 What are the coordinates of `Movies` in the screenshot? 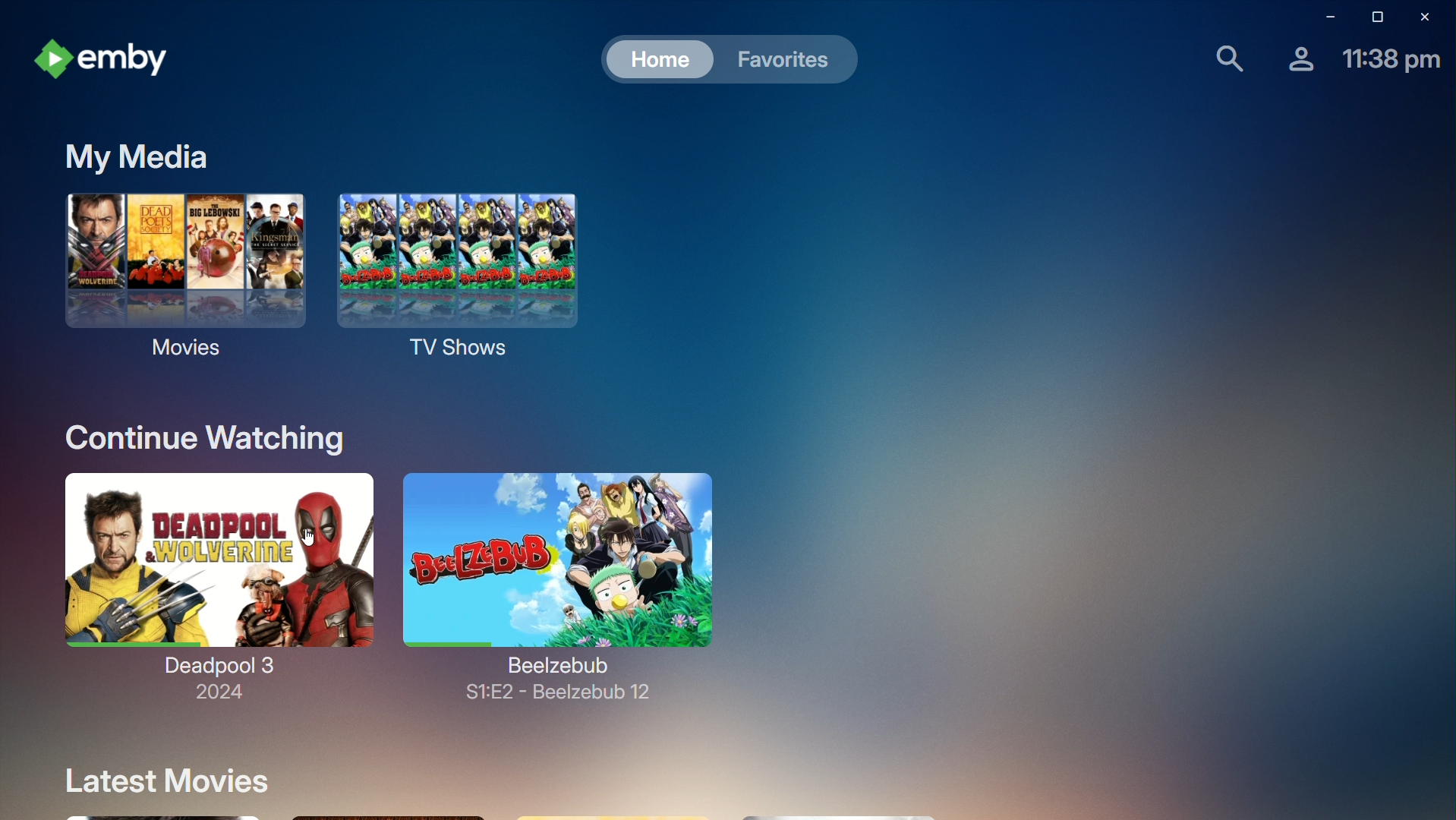 It's located at (171, 275).